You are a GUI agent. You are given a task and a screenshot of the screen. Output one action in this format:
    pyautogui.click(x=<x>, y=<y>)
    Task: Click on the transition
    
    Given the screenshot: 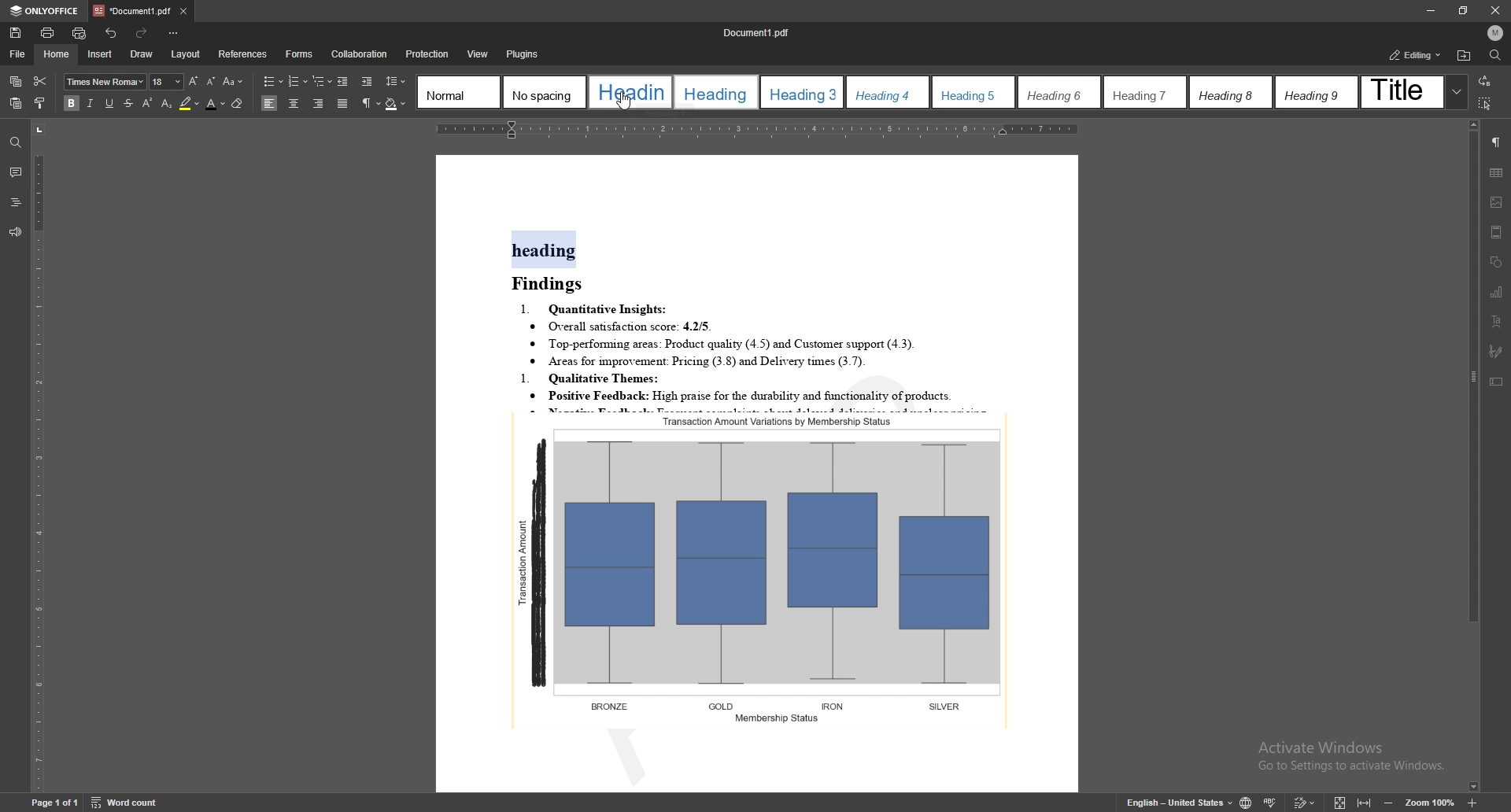 What is the action you would take?
    pyautogui.click(x=1483, y=82)
    